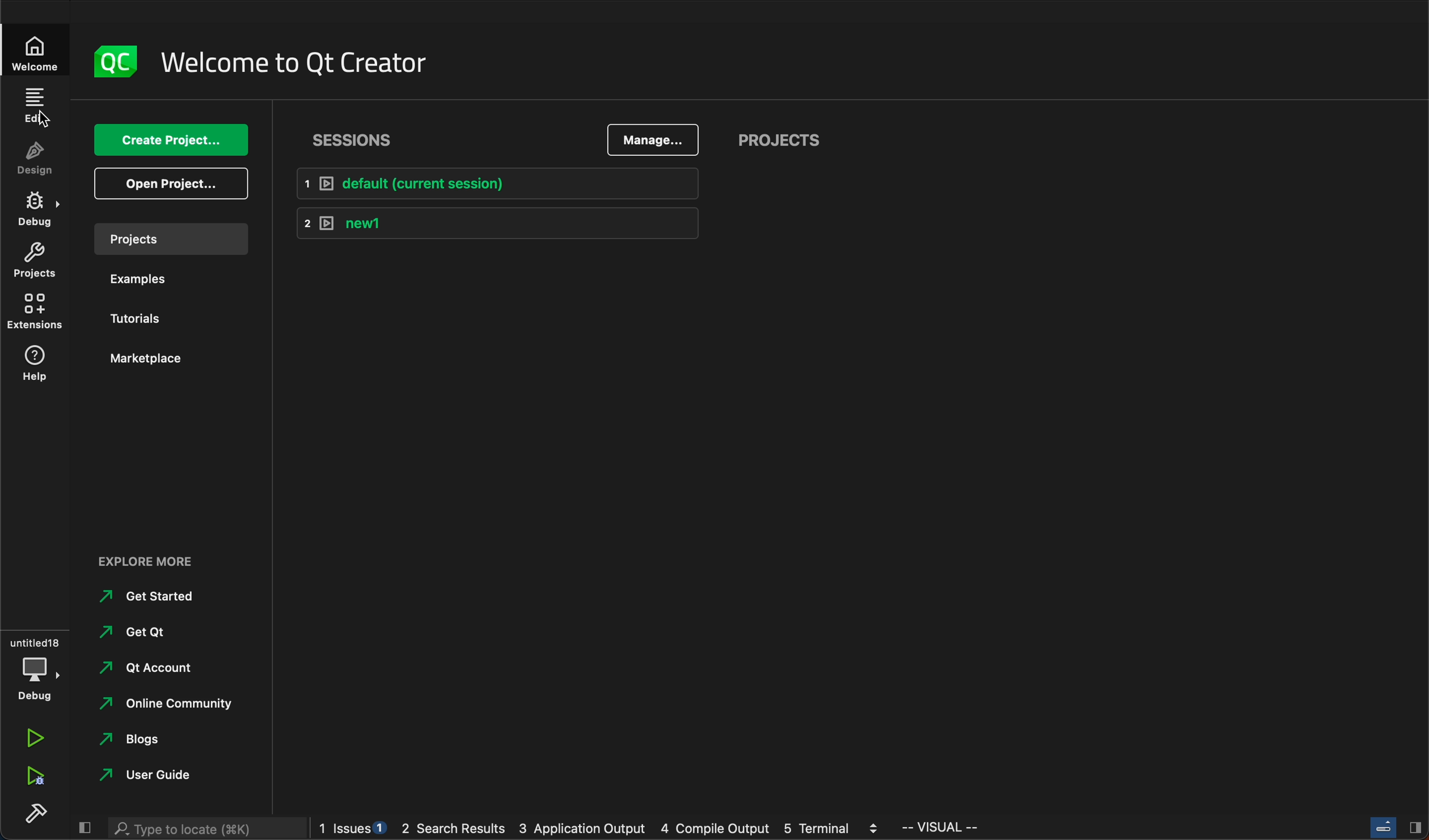 The image size is (1429, 840). What do you see at coordinates (141, 362) in the screenshot?
I see `marketplace` at bounding box center [141, 362].